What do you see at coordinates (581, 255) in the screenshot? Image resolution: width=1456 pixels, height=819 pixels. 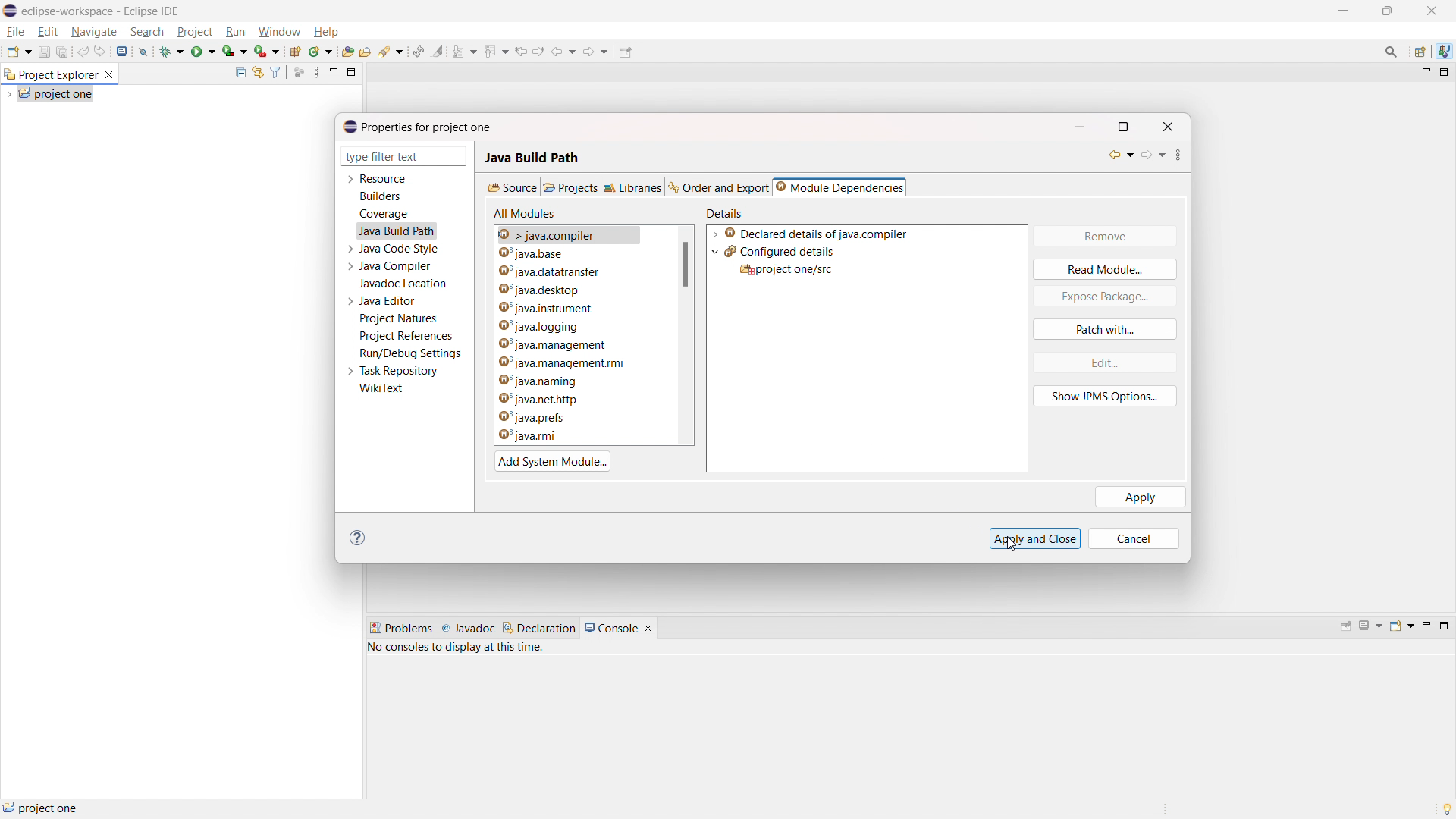 I see `java.compiler` at bounding box center [581, 255].